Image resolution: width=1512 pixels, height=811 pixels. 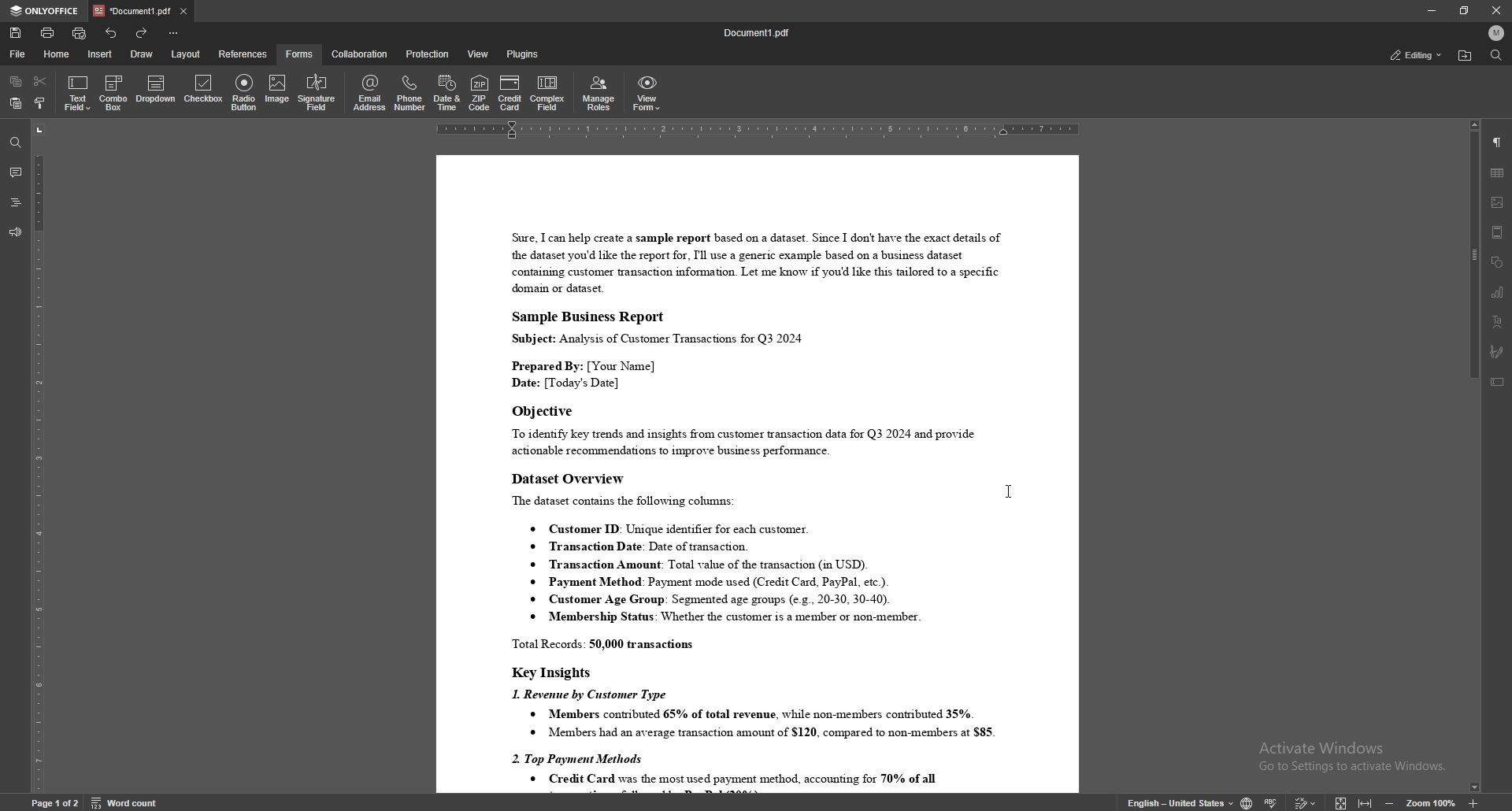 What do you see at coordinates (144, 53) in the screenshot?
I see `draw` at bounding box center [144, 53].